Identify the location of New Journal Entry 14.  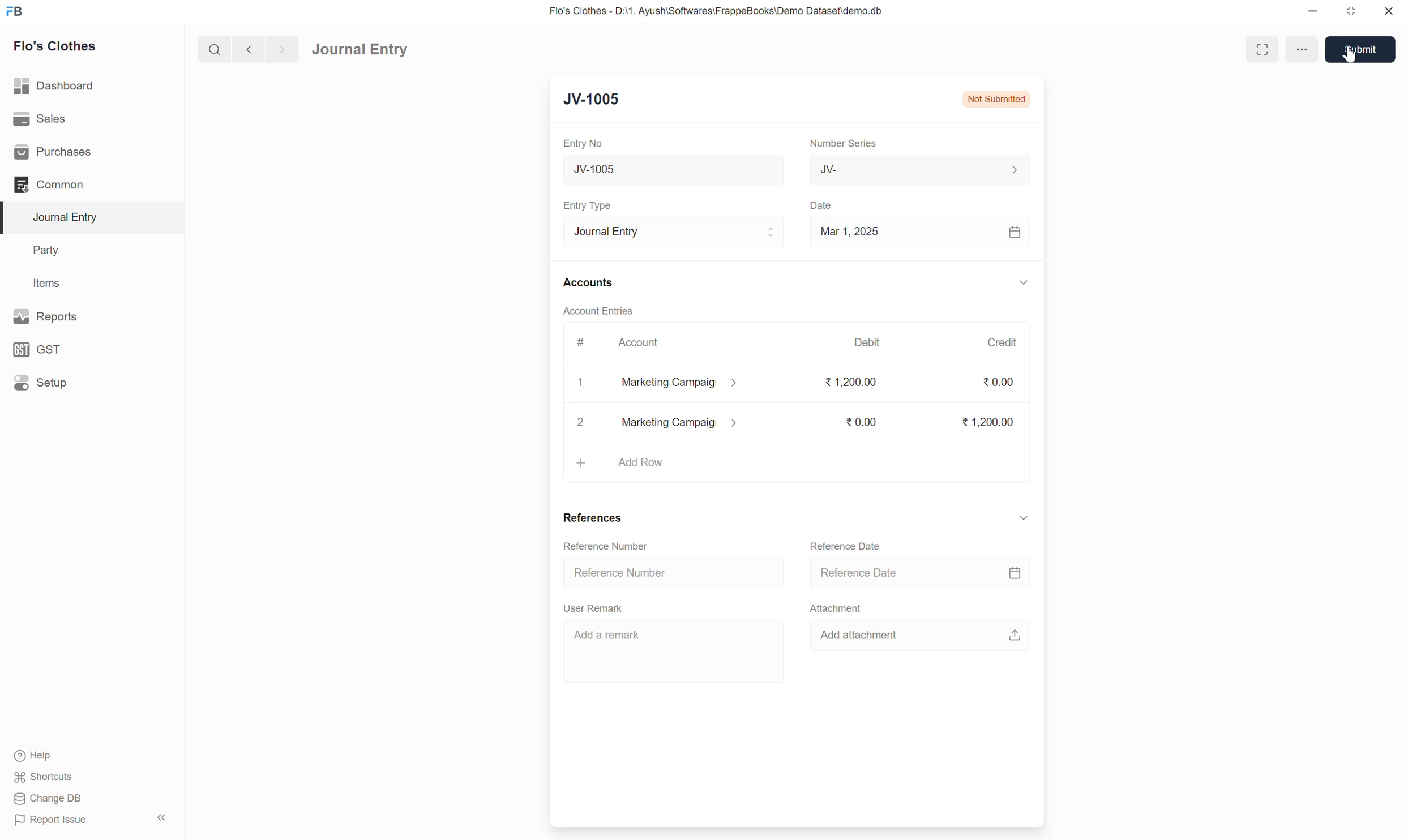
(646, 170).